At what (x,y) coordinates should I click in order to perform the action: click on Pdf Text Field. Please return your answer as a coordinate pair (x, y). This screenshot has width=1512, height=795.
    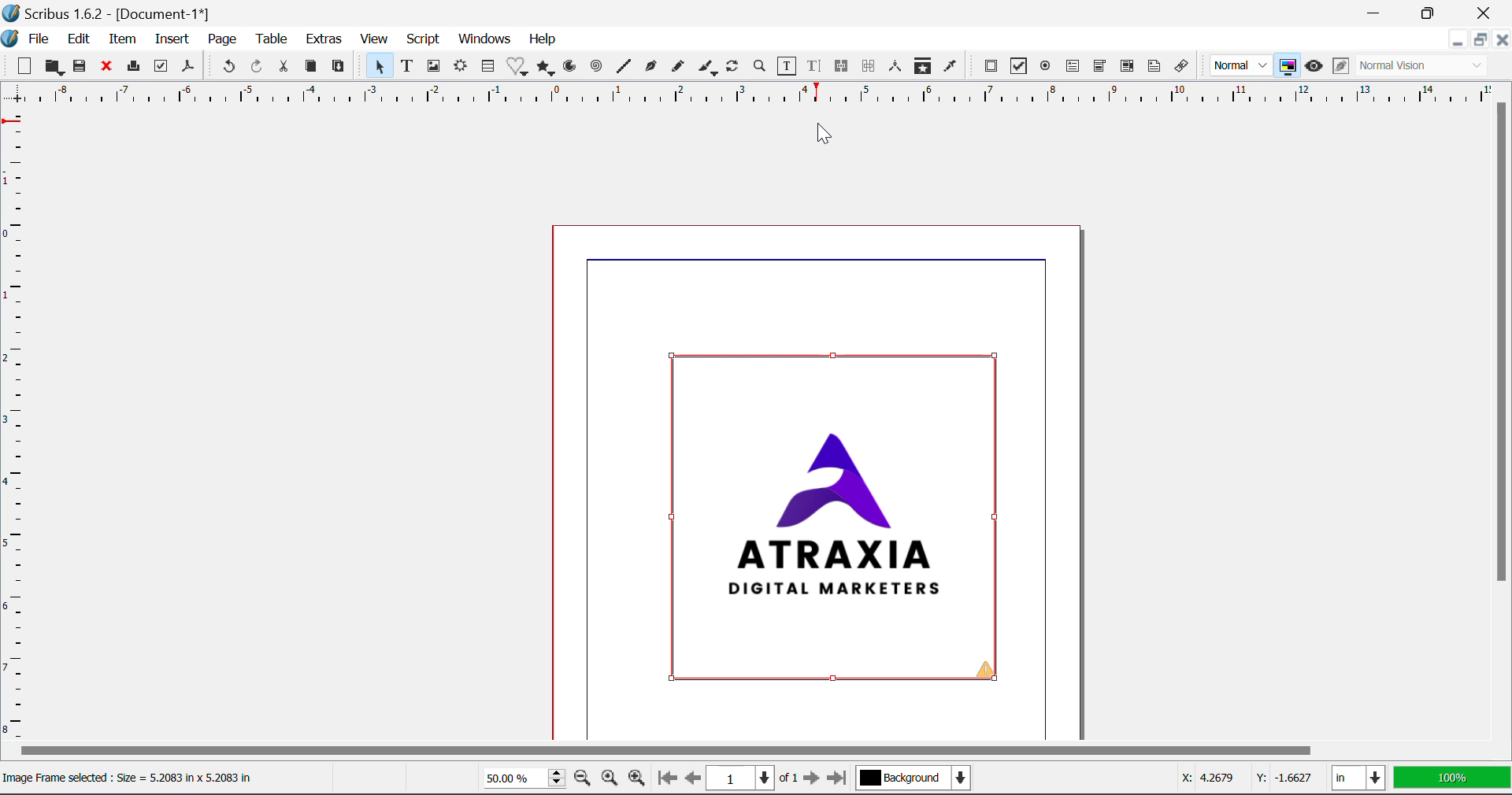
    Looking at the image, I should click on (1073, 68).